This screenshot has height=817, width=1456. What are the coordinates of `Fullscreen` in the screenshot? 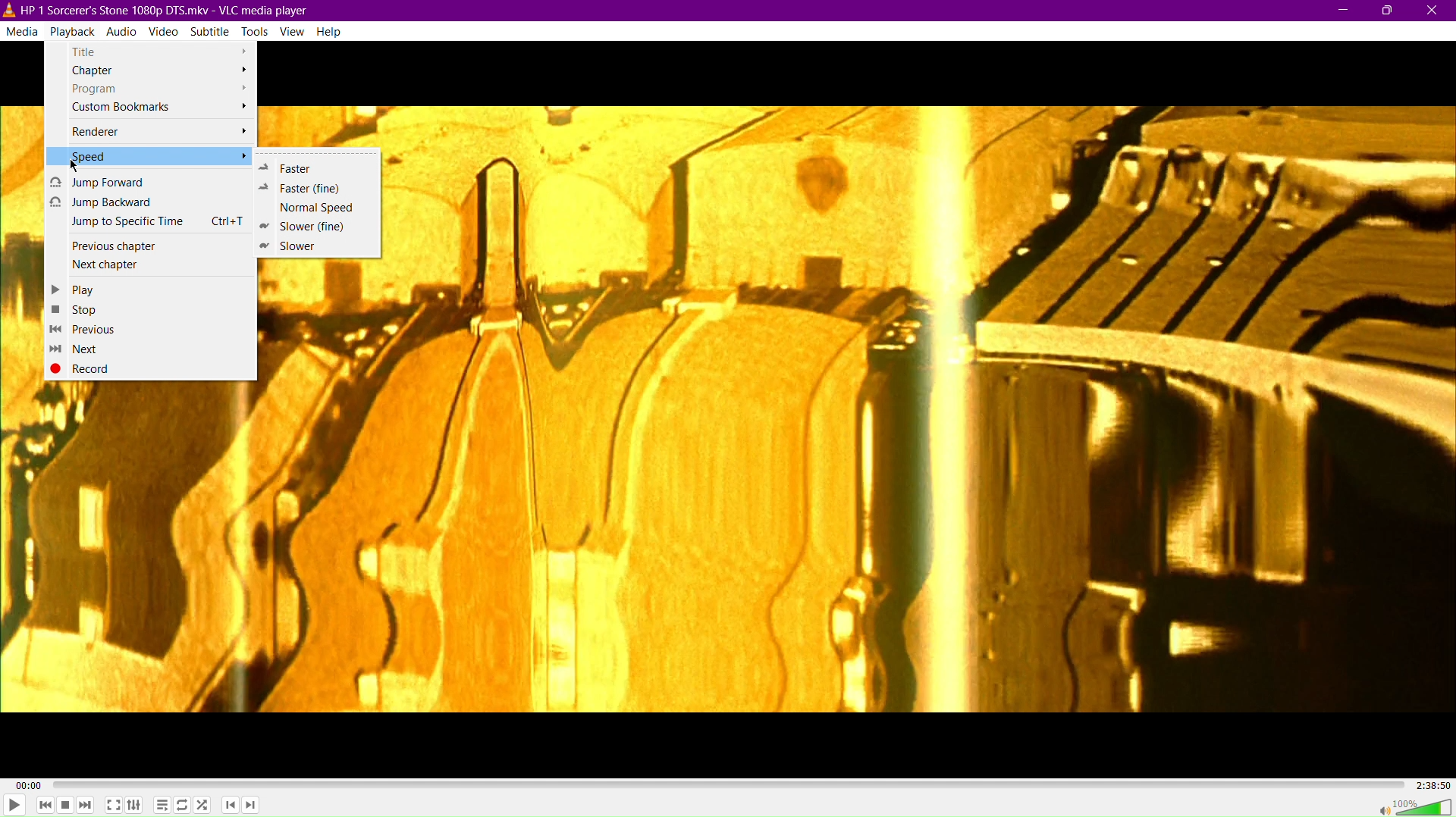 It's located at (111, 806).